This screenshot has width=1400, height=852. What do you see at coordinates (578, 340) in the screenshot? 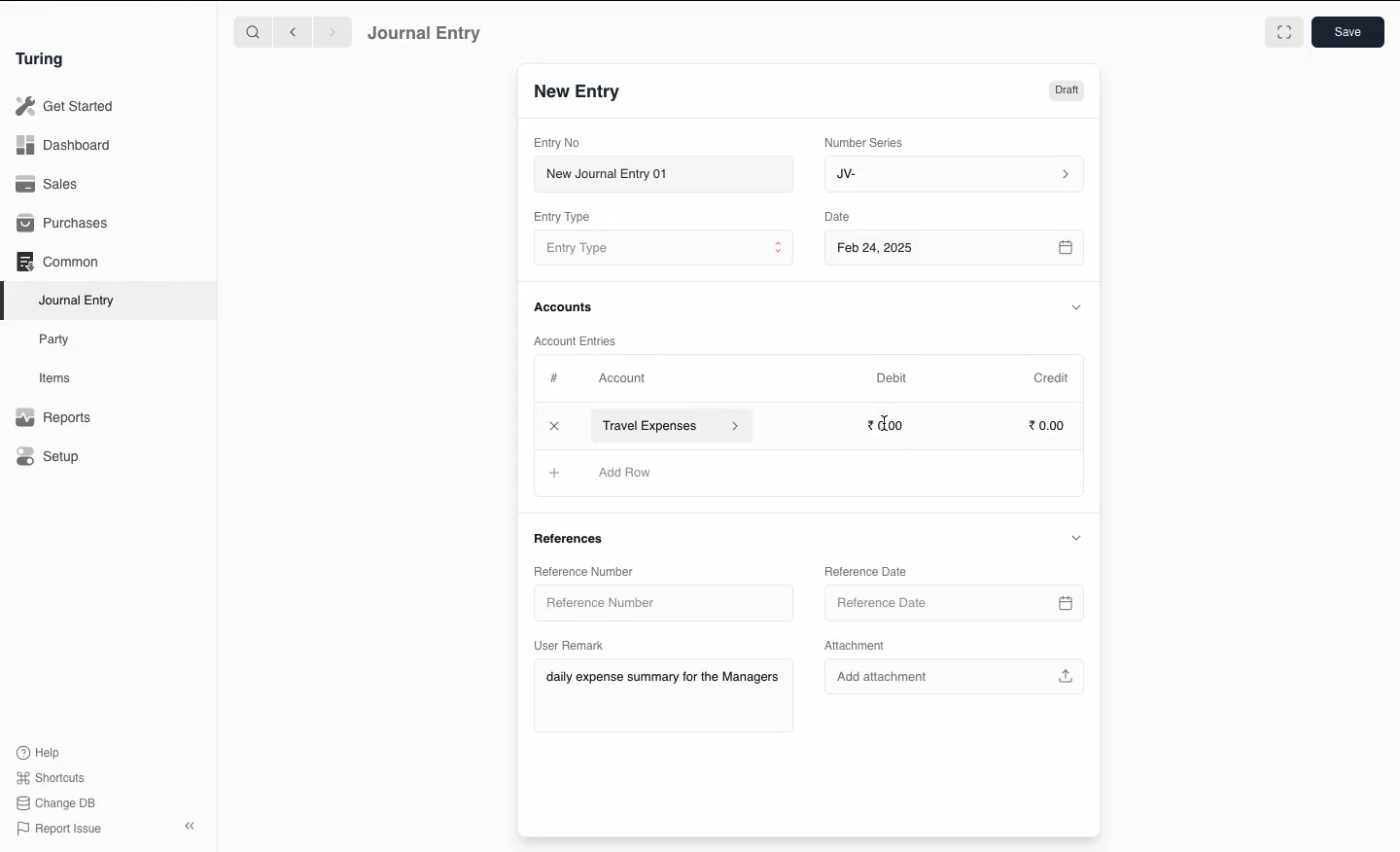
I see `Account Entries` at bounding box center [578, 340].